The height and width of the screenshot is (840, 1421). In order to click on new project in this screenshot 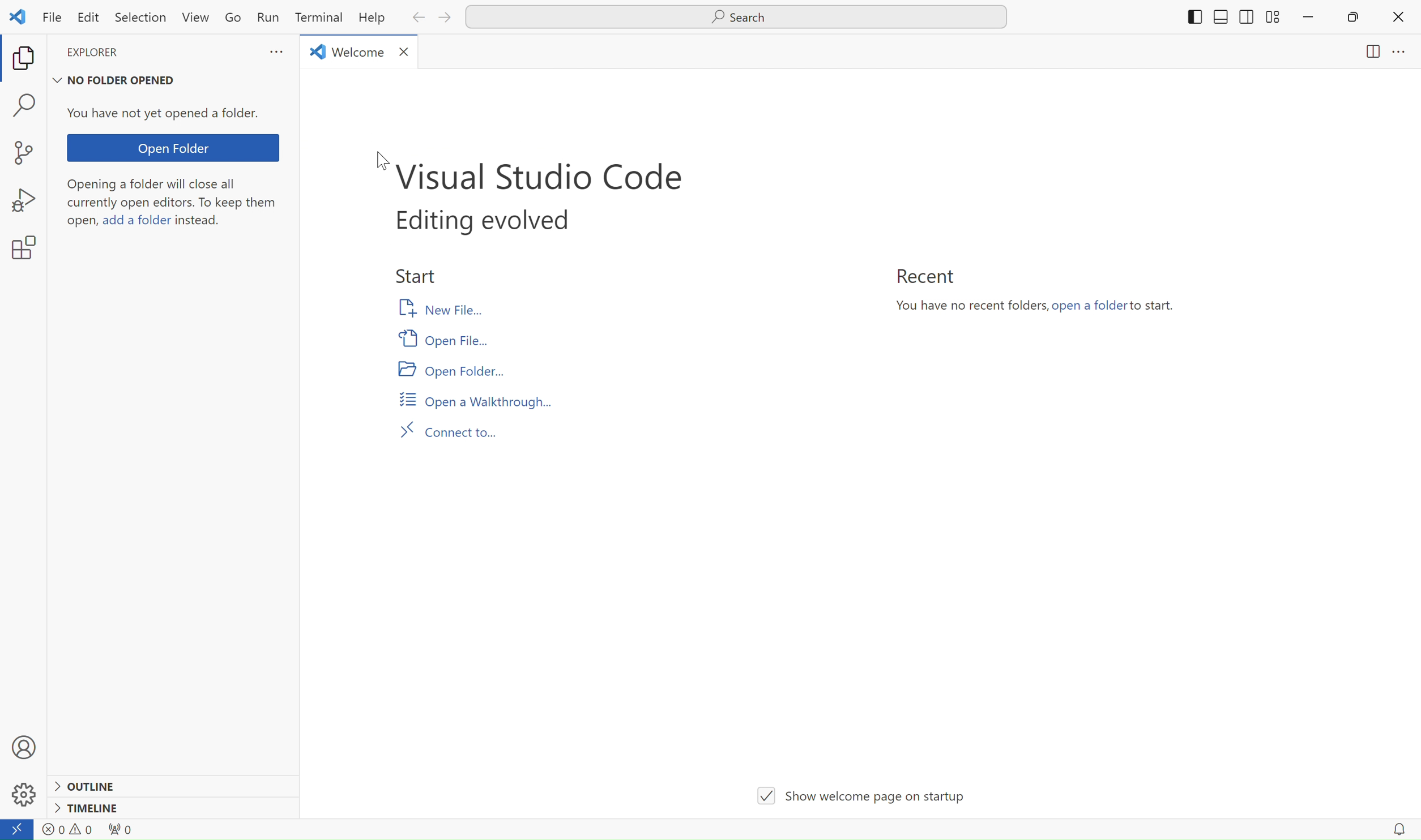, I will do `click(31, 153)`.